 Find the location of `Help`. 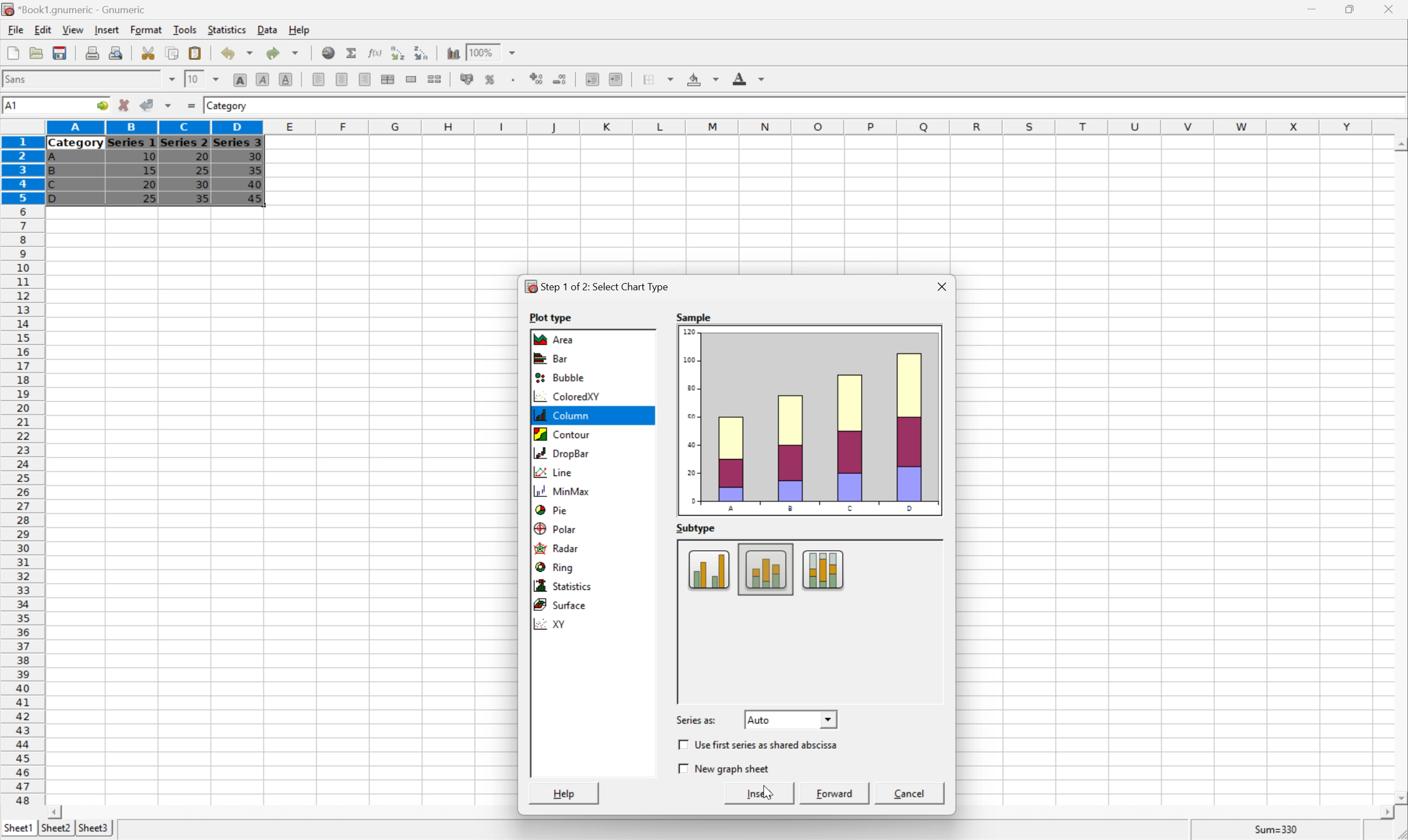

Help is located at coordinates (567, 793).